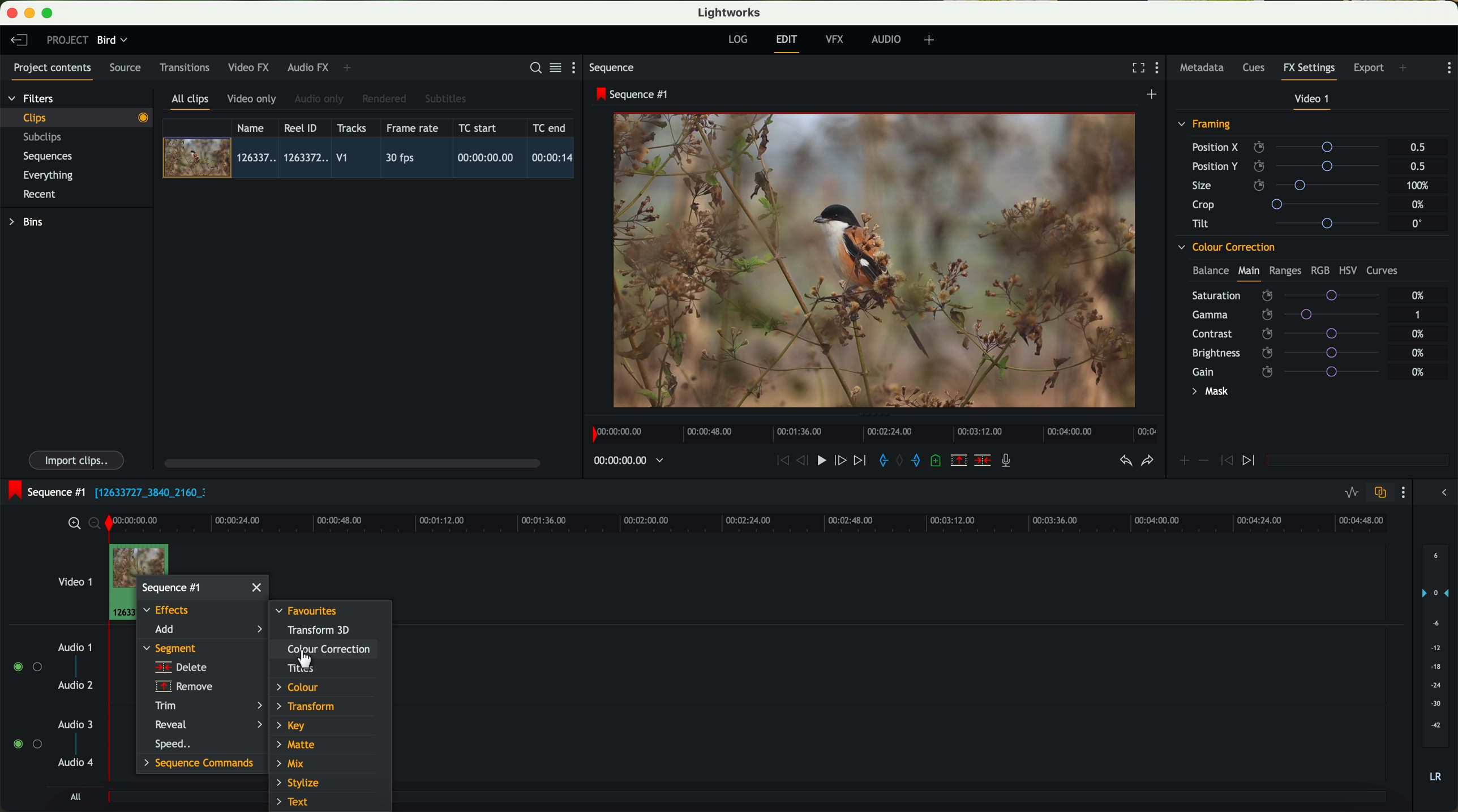  Describe the element at coordinates (1183, 462) in the screenshot. I see `icon` at that location.